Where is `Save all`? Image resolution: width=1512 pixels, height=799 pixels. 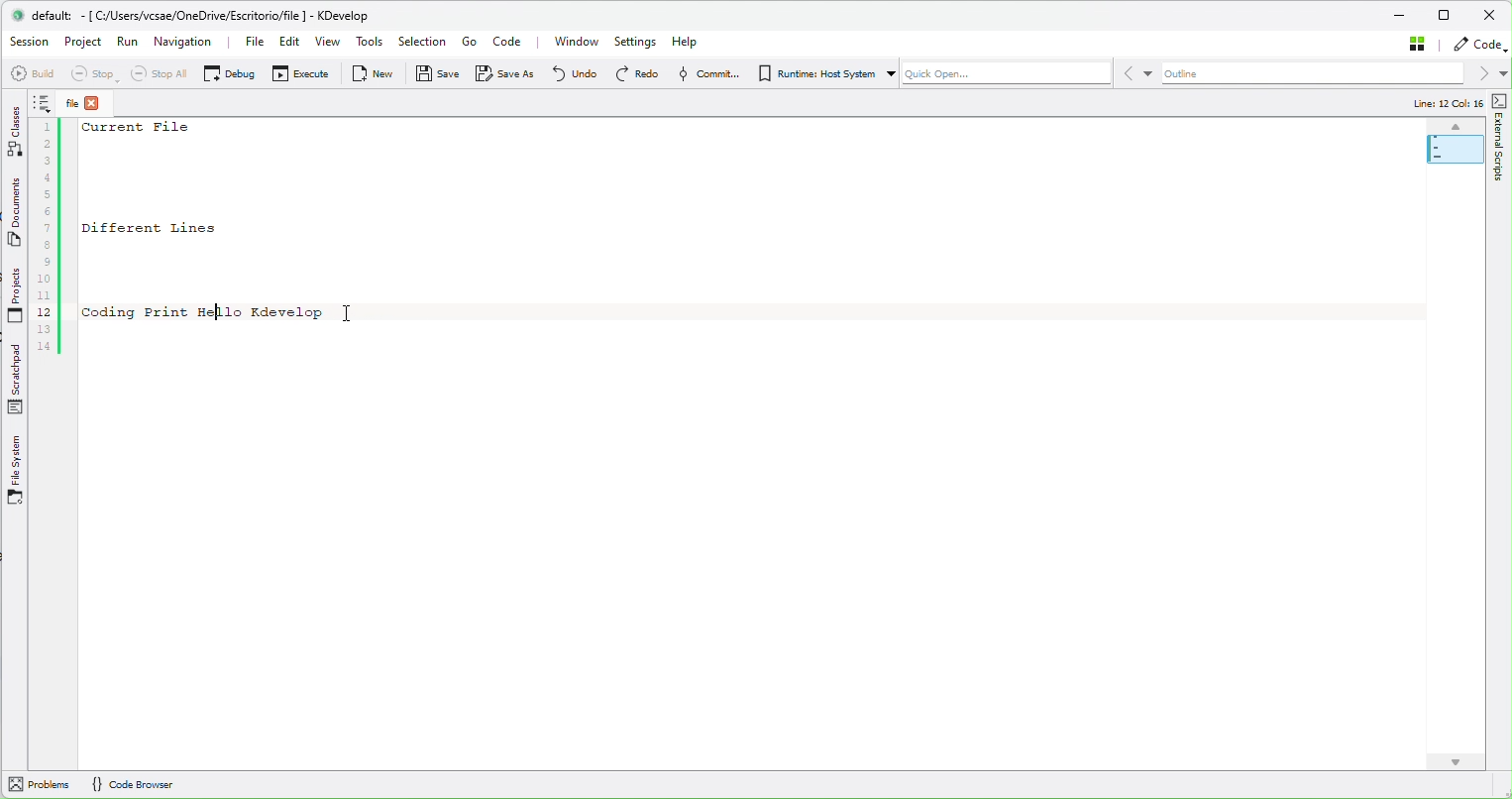
Save all is located at coordinates (497, 73).